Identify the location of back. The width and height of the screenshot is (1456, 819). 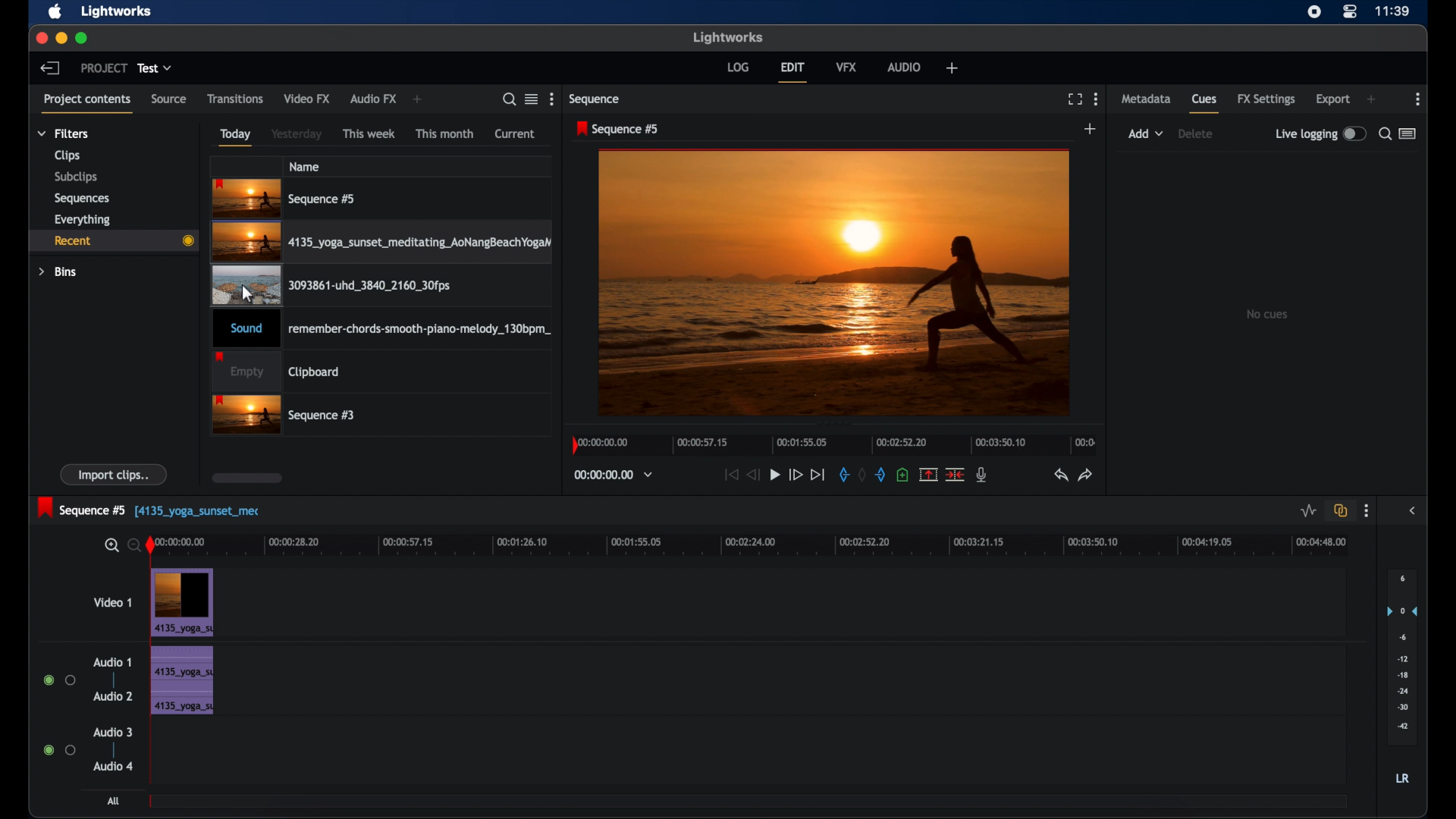
(51, 67).